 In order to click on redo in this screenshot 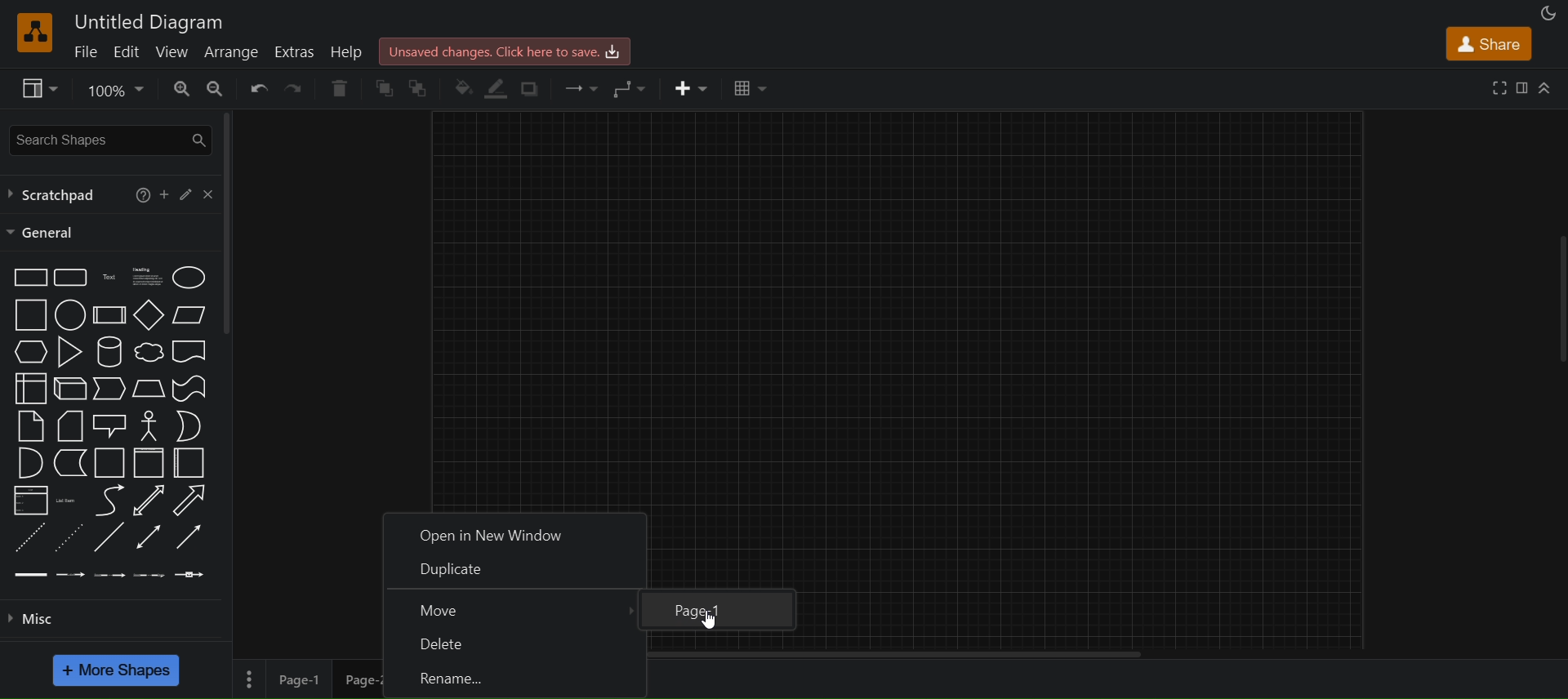, I will do `click(292, 88)`.